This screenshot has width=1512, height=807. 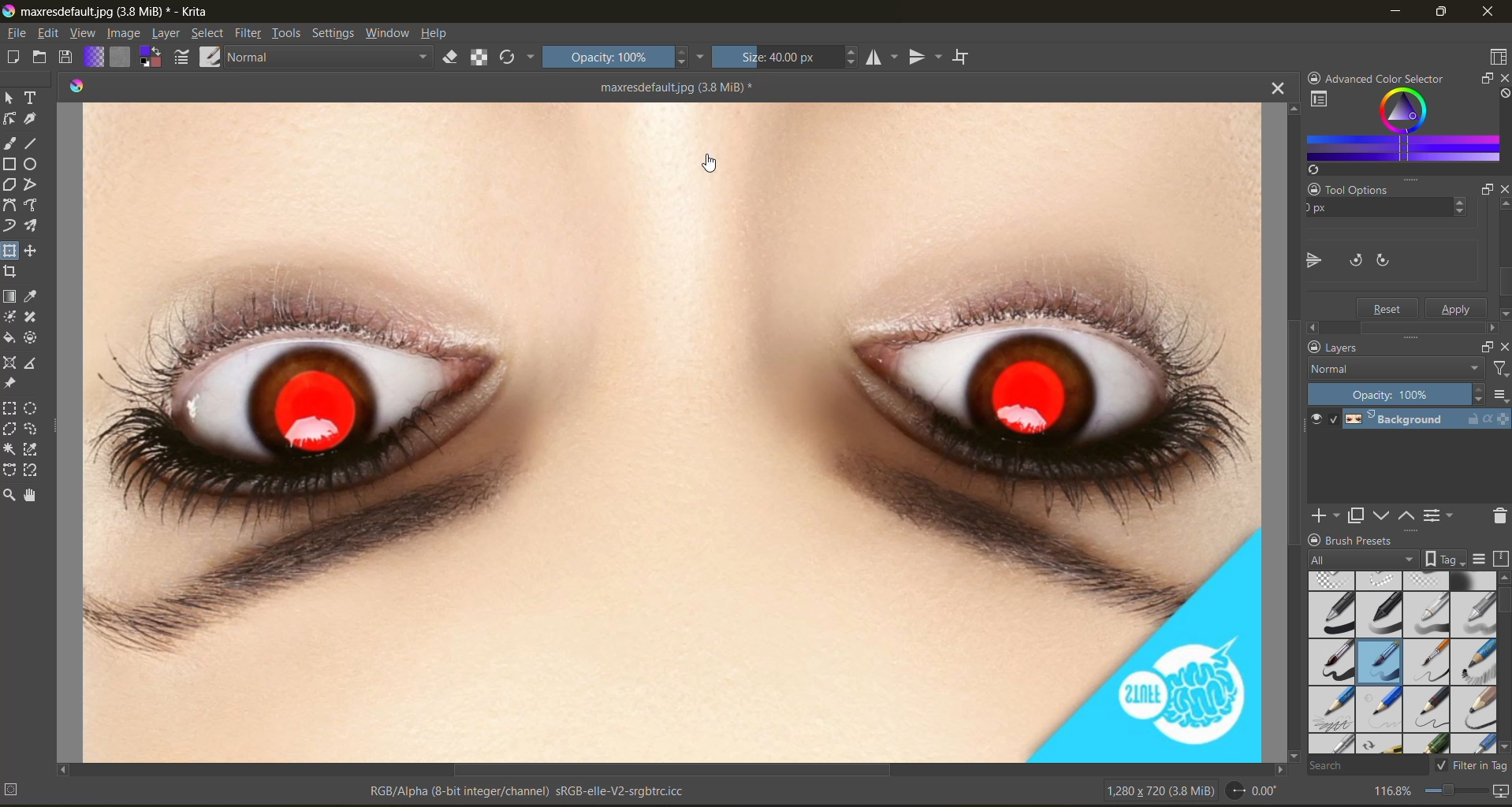 What do you see at coordinates (1501, 559) in the screenshot?
I see `storage resources` at bounding box center [1501, 559].